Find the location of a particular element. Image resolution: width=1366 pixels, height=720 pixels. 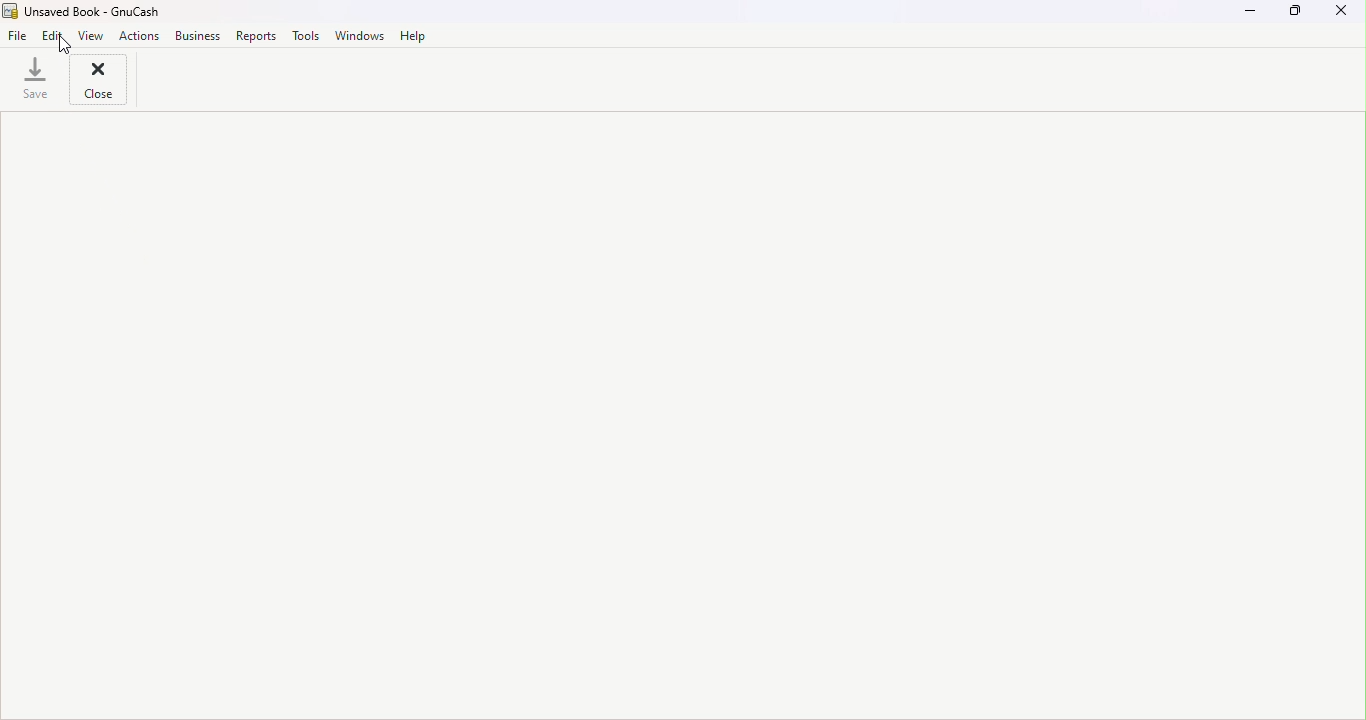

Save is located at coordinates (37, 79).